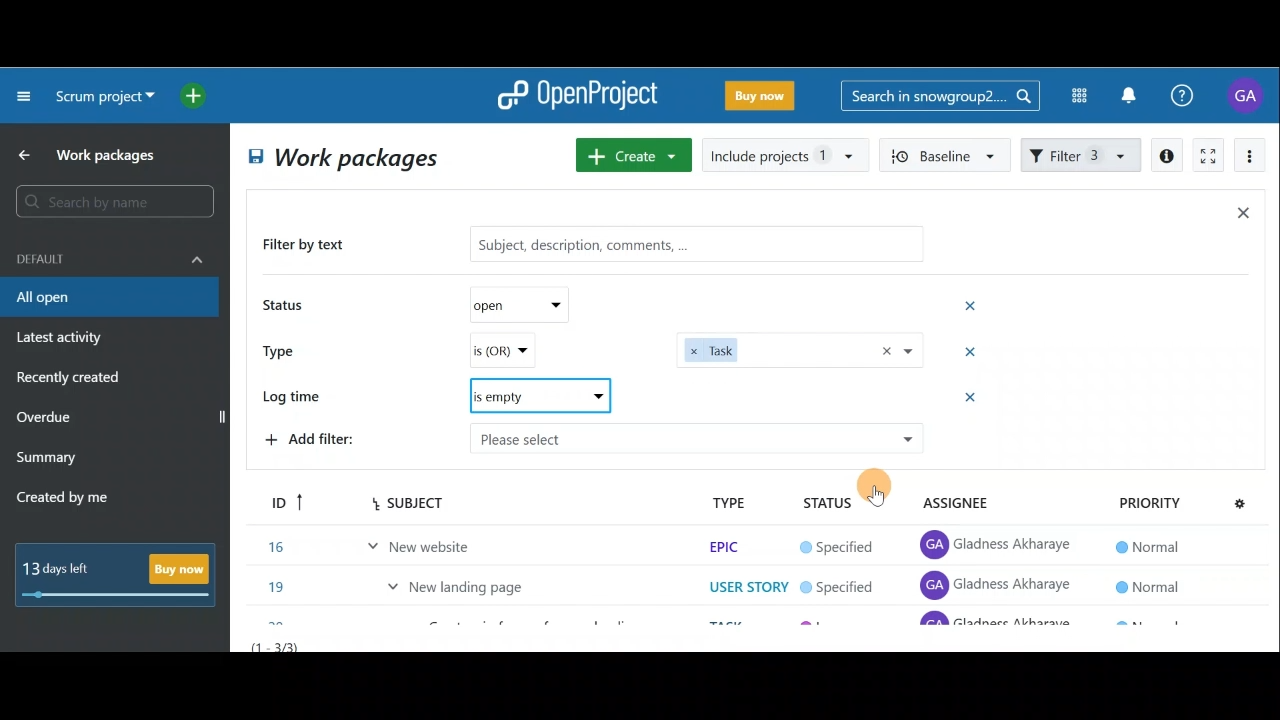 The height and width of the screenshot is (720, 1280). I want to click on Project name, so click(102, 98).